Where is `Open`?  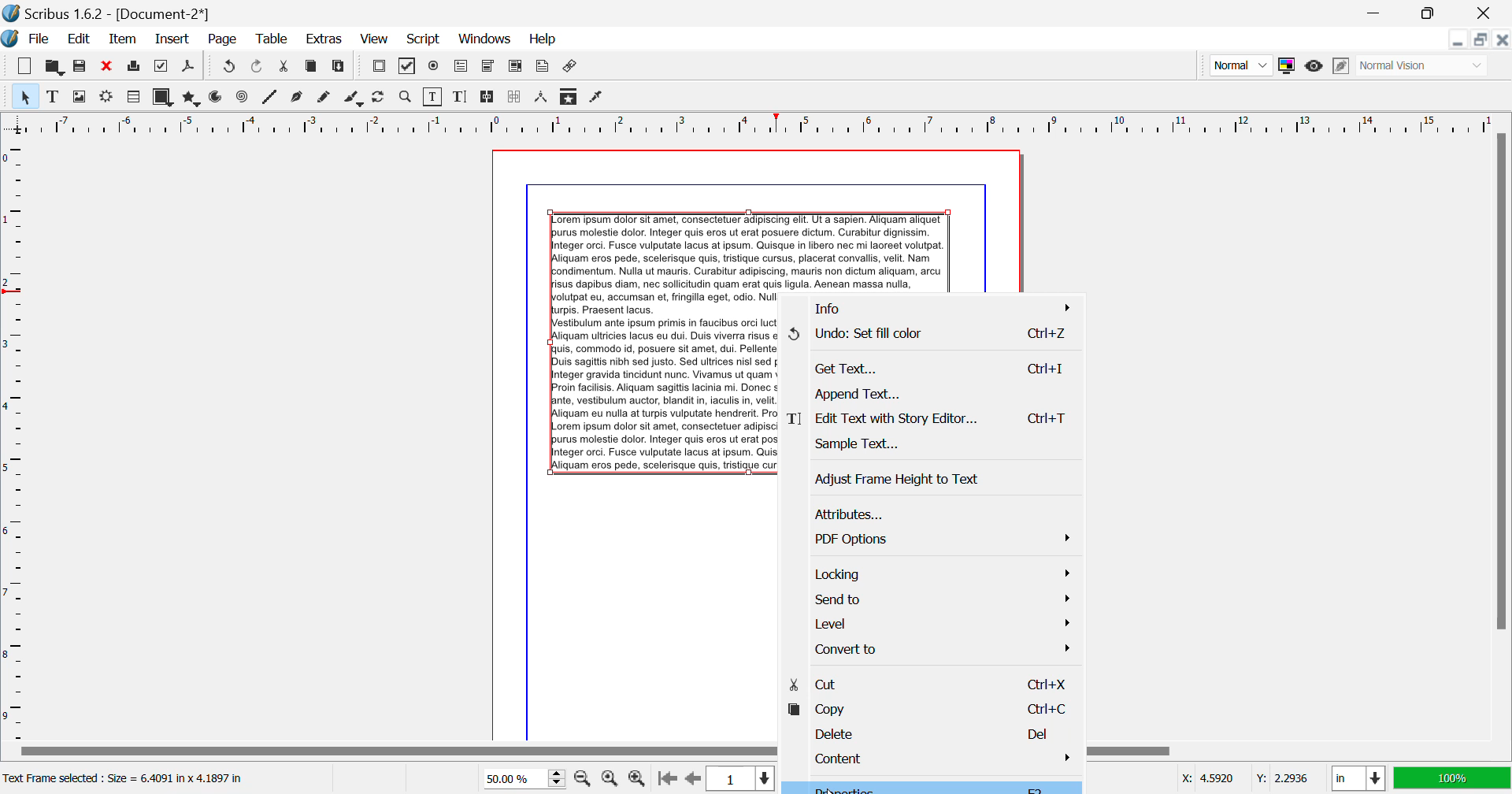
Open is located at coordinates (54, 65).